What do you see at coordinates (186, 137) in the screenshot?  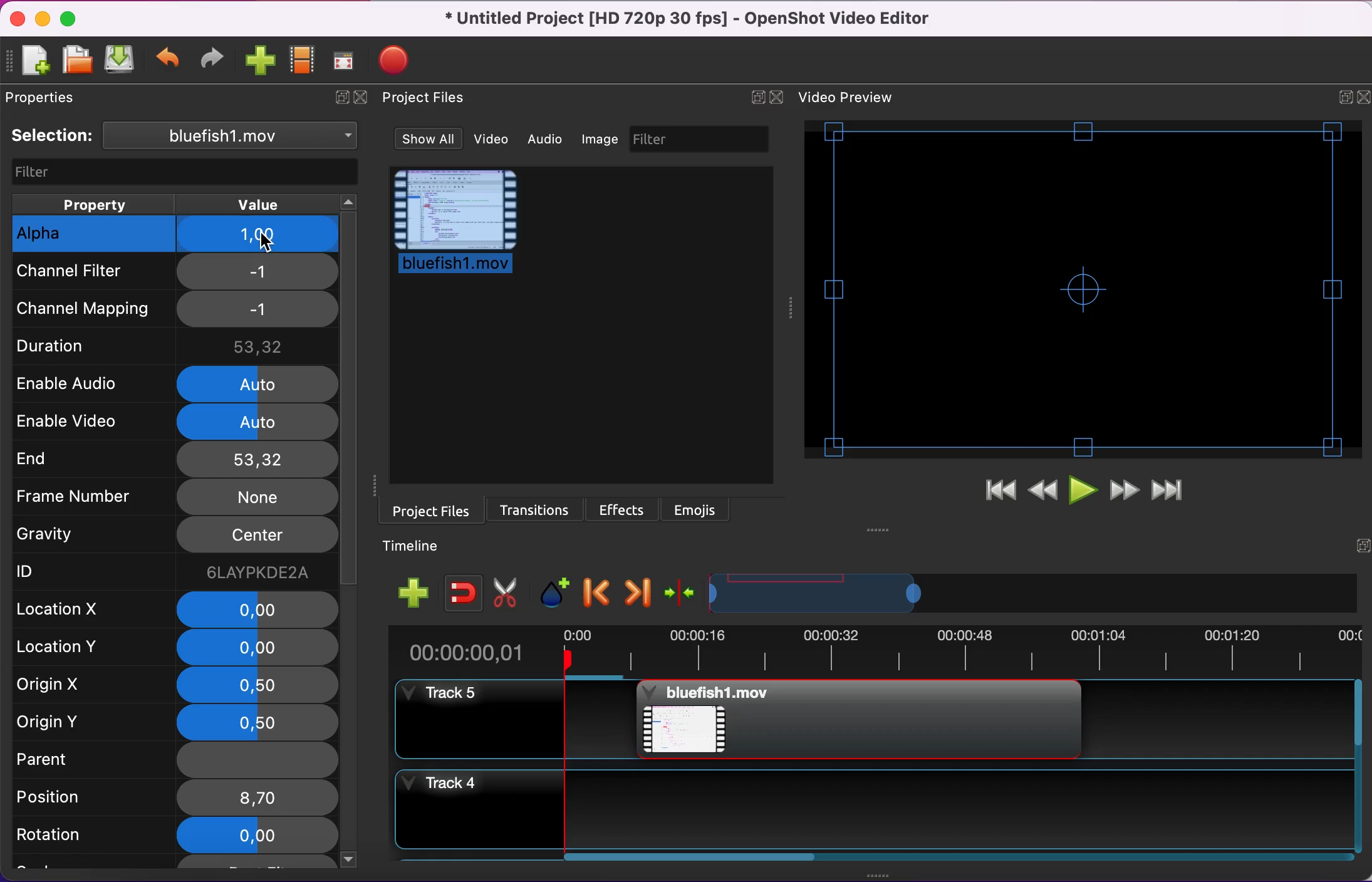 I see `selection` at bounding box center [186, 137].